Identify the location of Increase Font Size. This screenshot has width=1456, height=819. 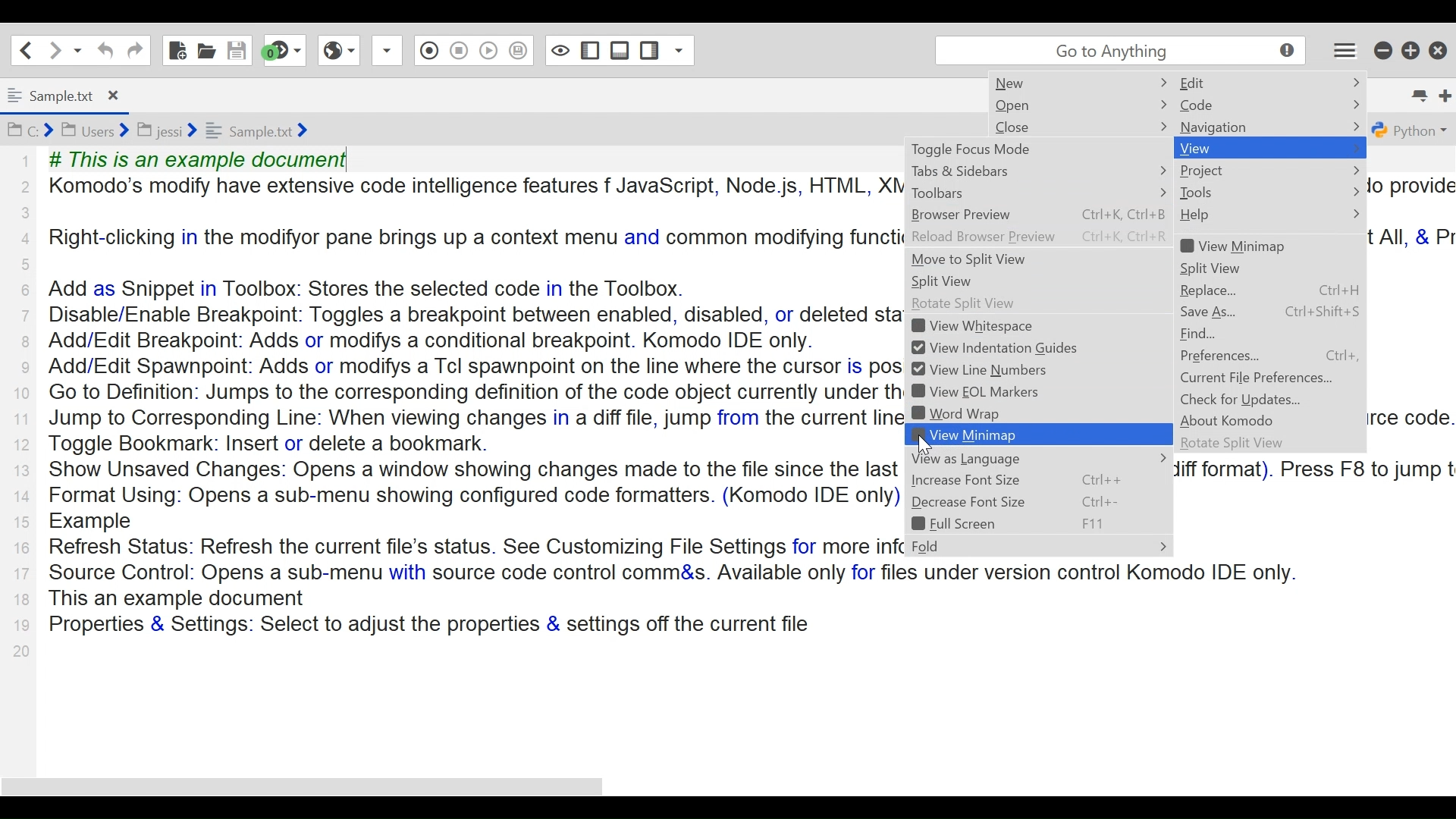
(1035, 480).